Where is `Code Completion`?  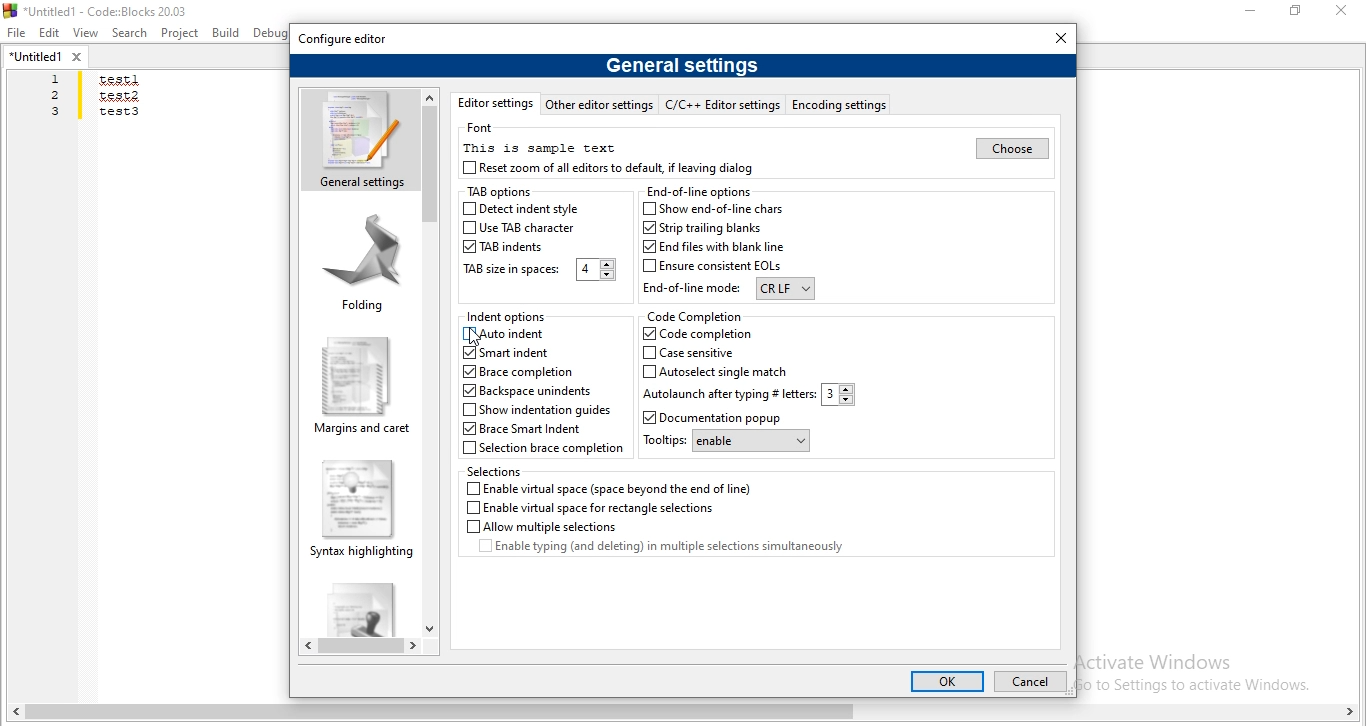
Code Completion is located at coordinates (694, 316).